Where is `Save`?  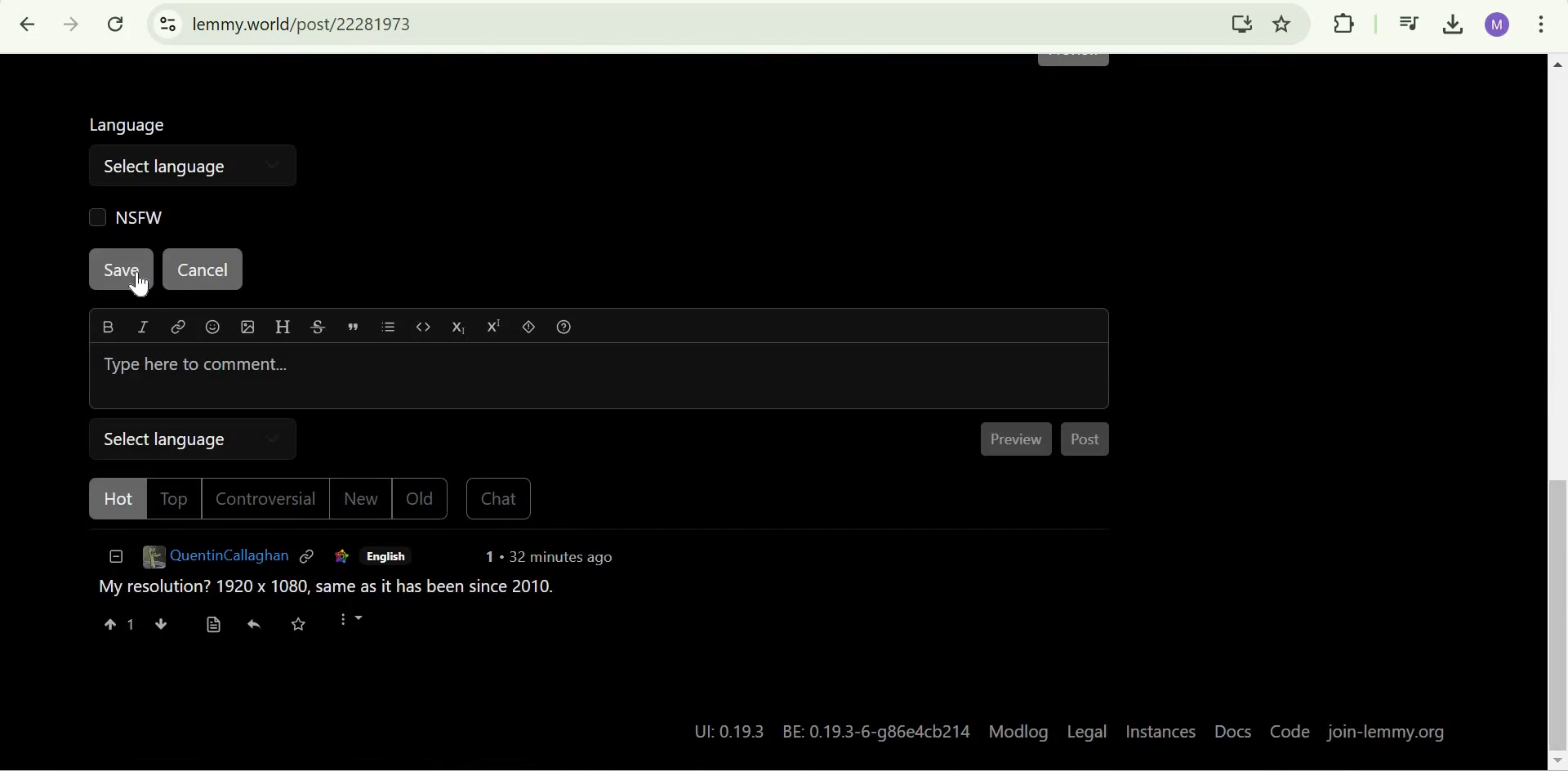
Save is located at coordinates (122, 270).